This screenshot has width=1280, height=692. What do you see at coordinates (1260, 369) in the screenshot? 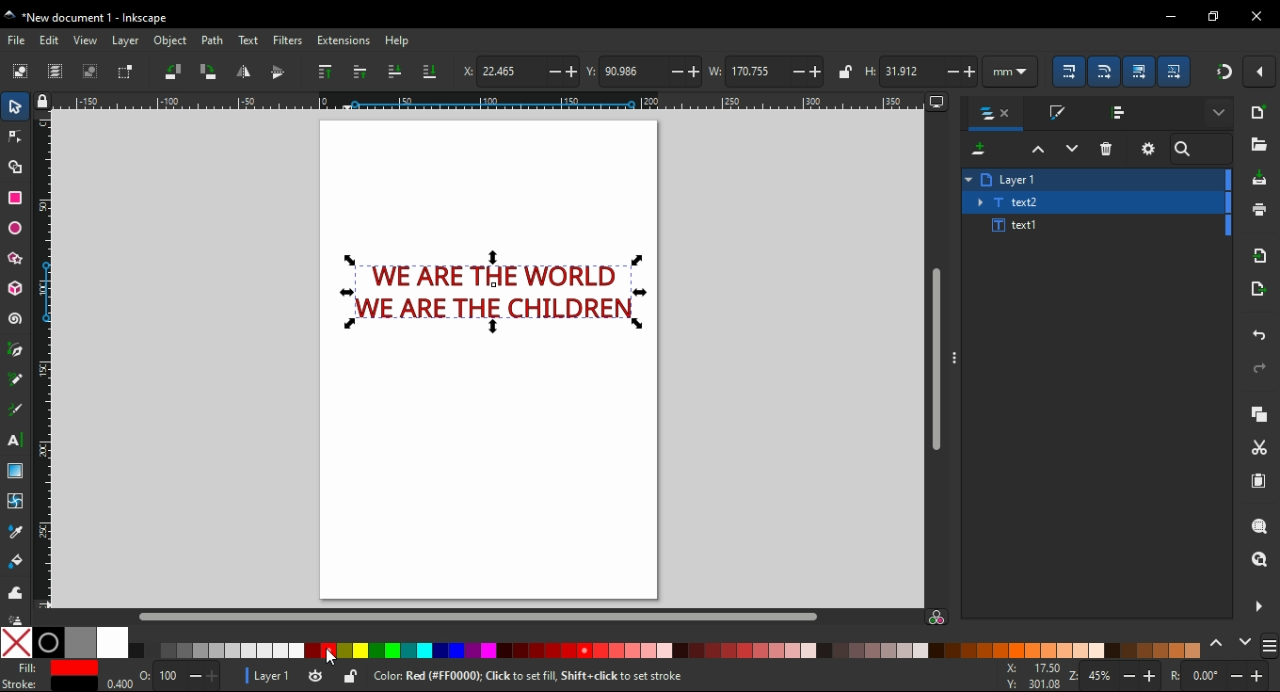
I see `redo` at bounding box center [1260, 369].